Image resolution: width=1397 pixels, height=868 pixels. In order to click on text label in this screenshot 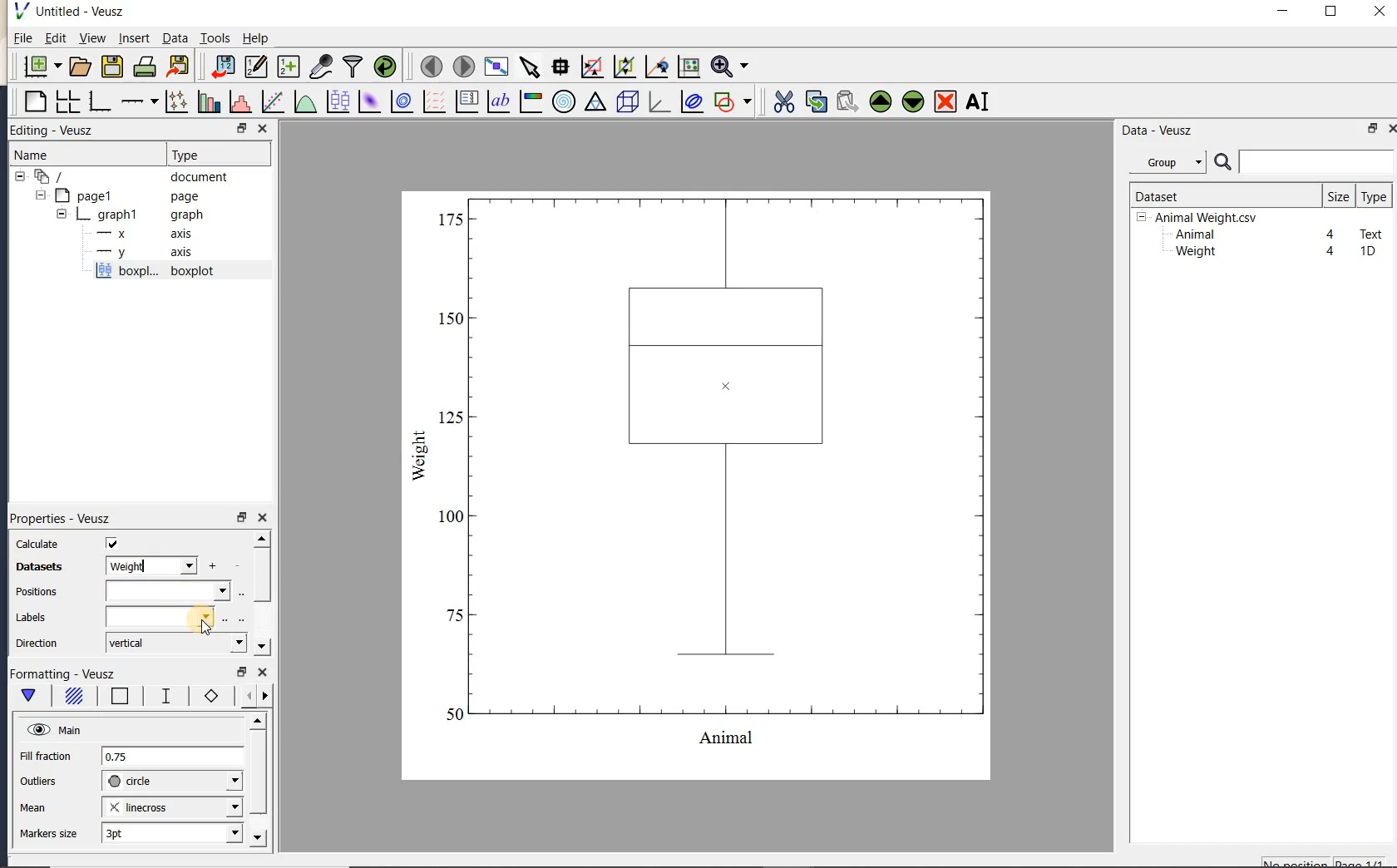, I will do `click(498, 103)`.